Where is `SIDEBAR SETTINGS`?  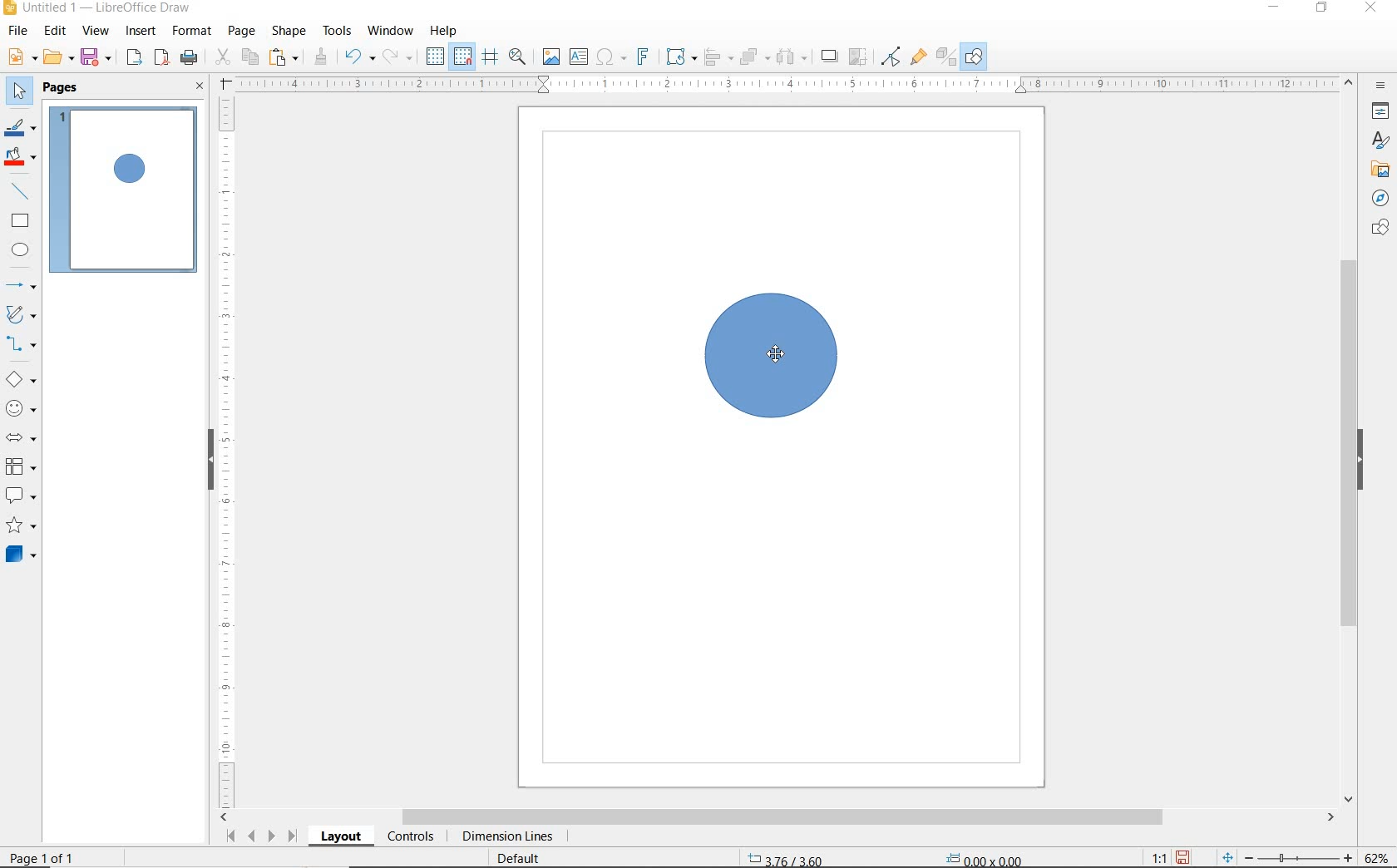 SIDEBAR SETTINGS is located at coordinates (1381, 85).